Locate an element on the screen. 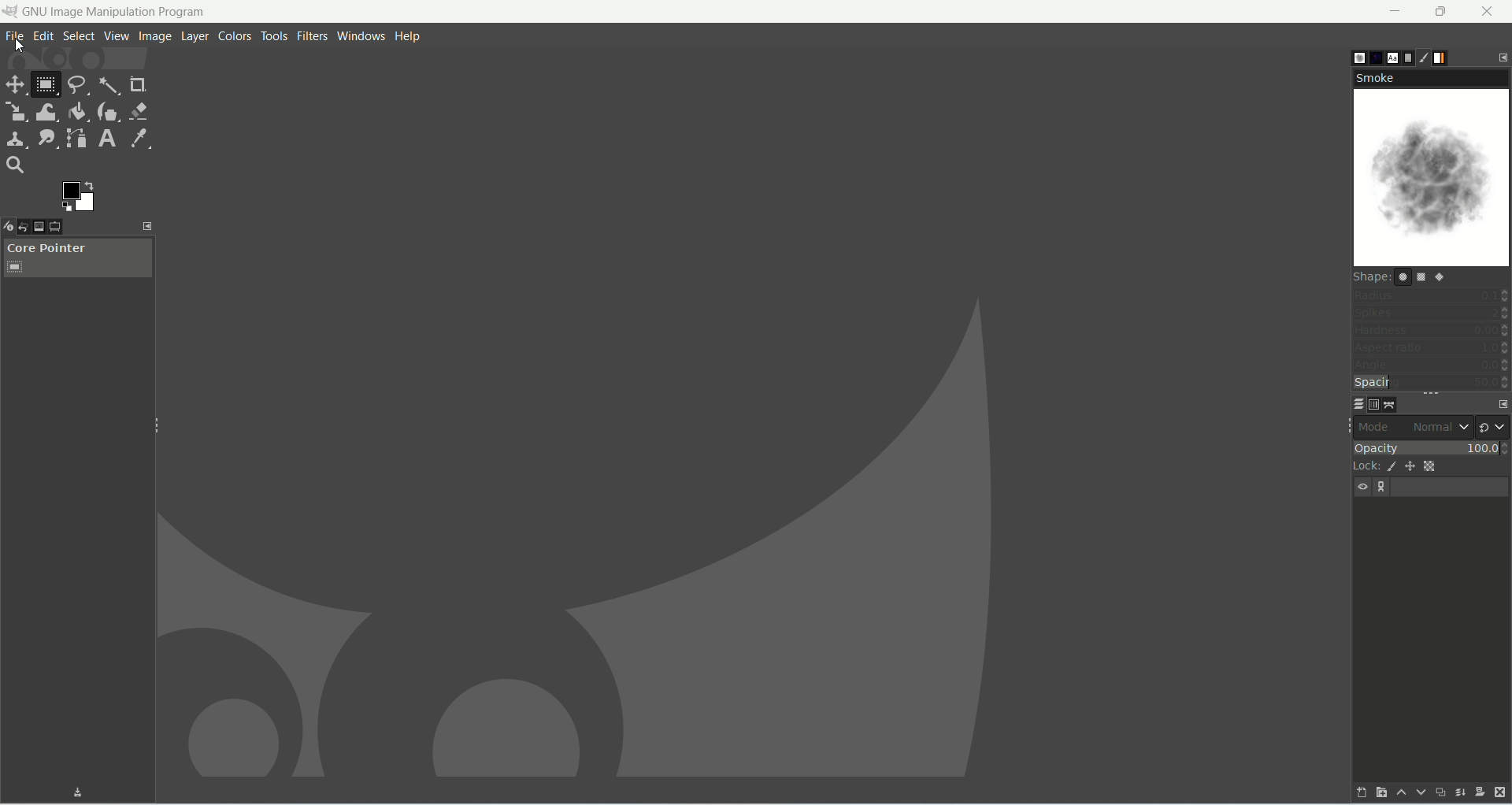 The height and width of the screenshot is (805, 1512). mode is located at coordinates (1377, 427).